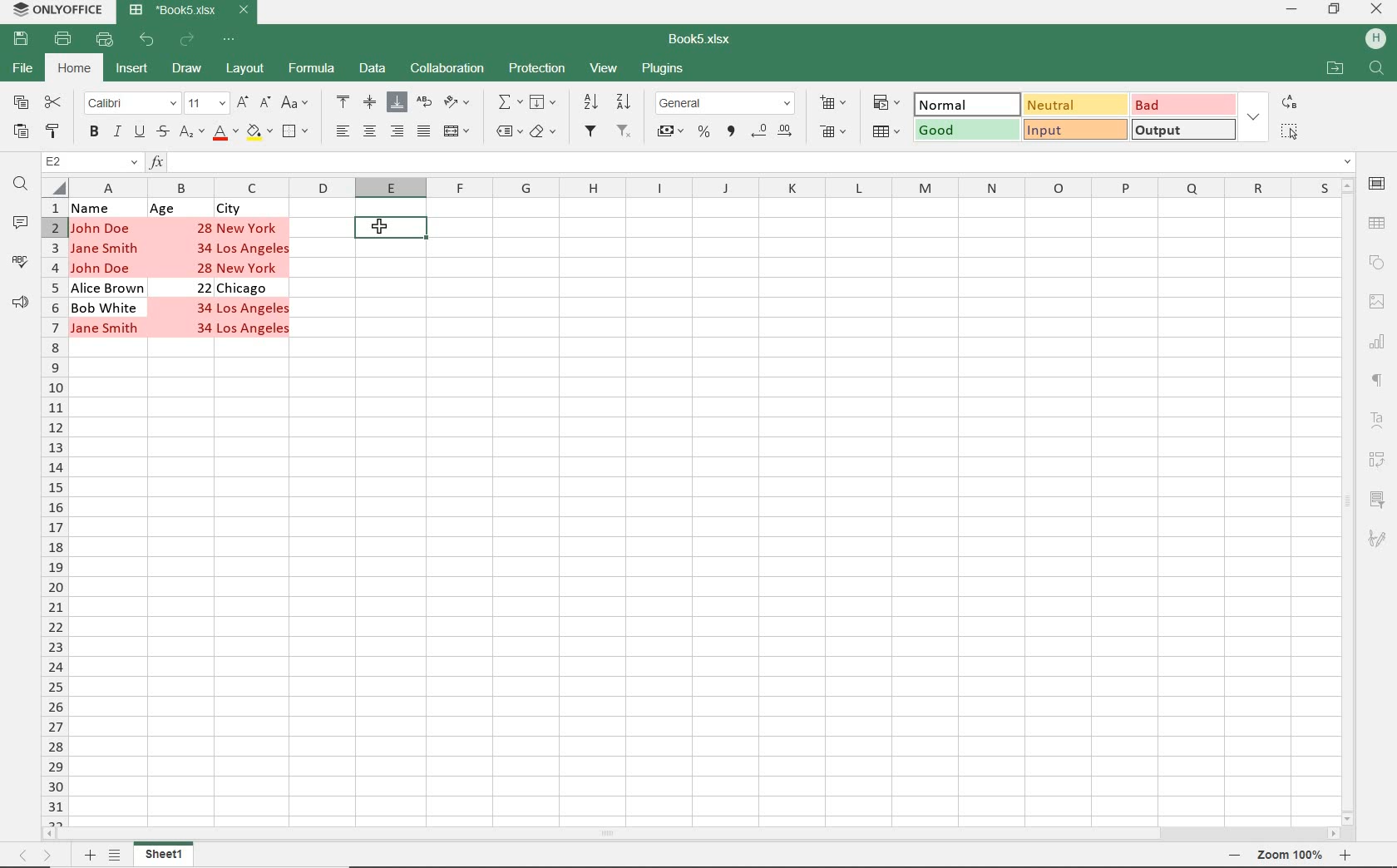  I want to click on COPY STYLE, so click(53, 132).